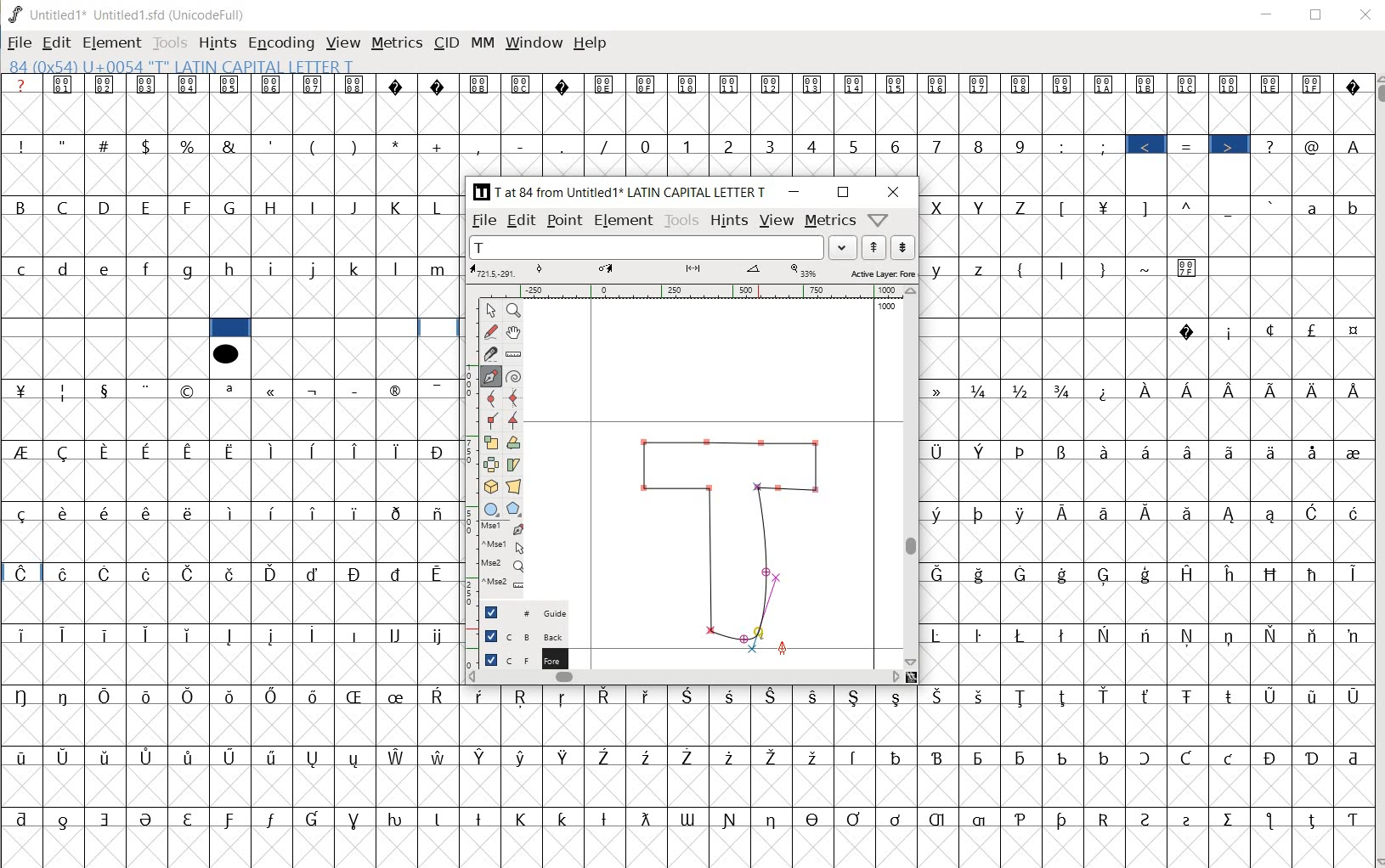 This screenshot has width=1385, height=868. I want to click on Symbol, so click(190, 451).